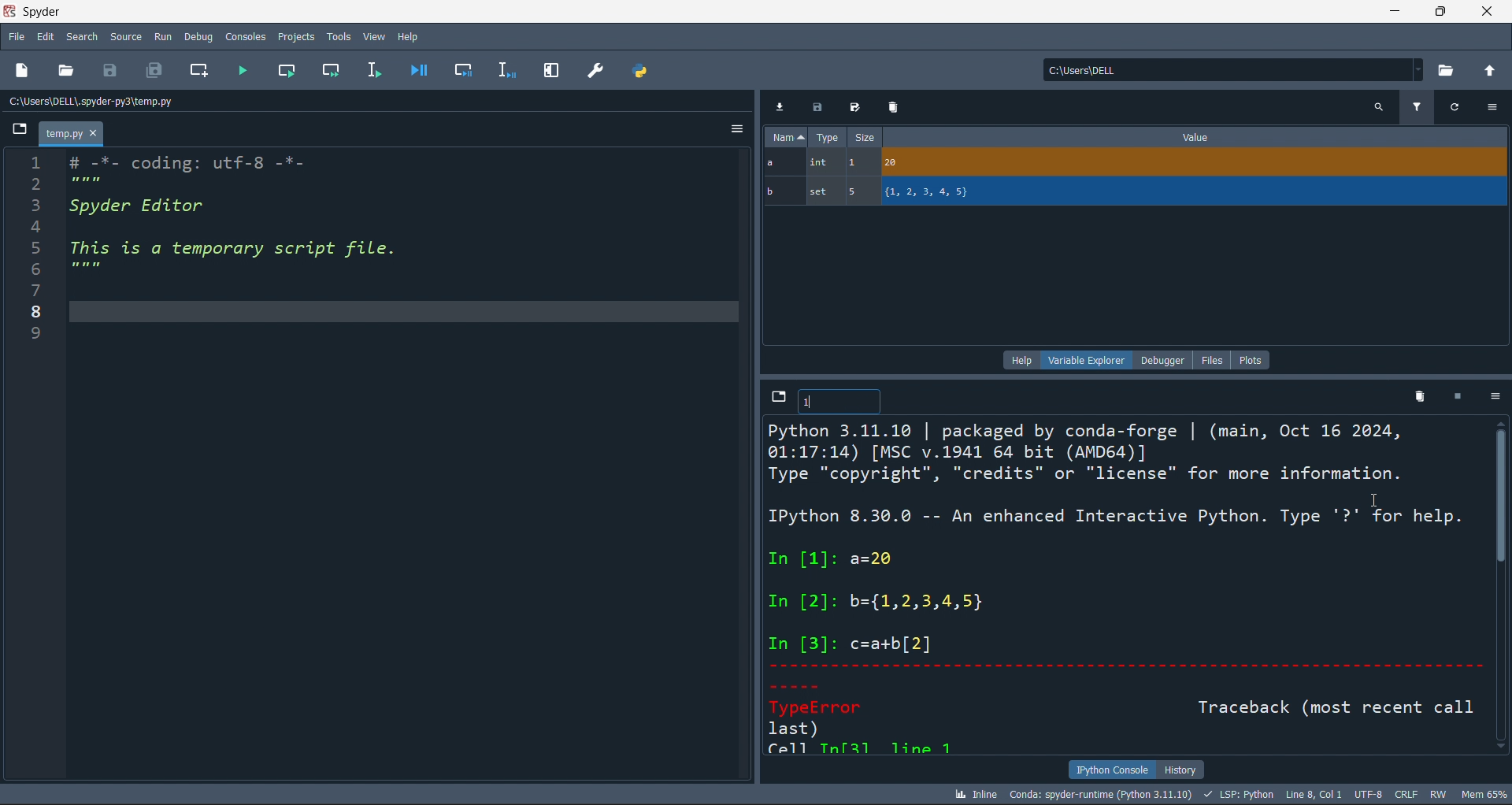  Describe the element at coordinates (80, 37) in the screenshot. I see `search` at that location.